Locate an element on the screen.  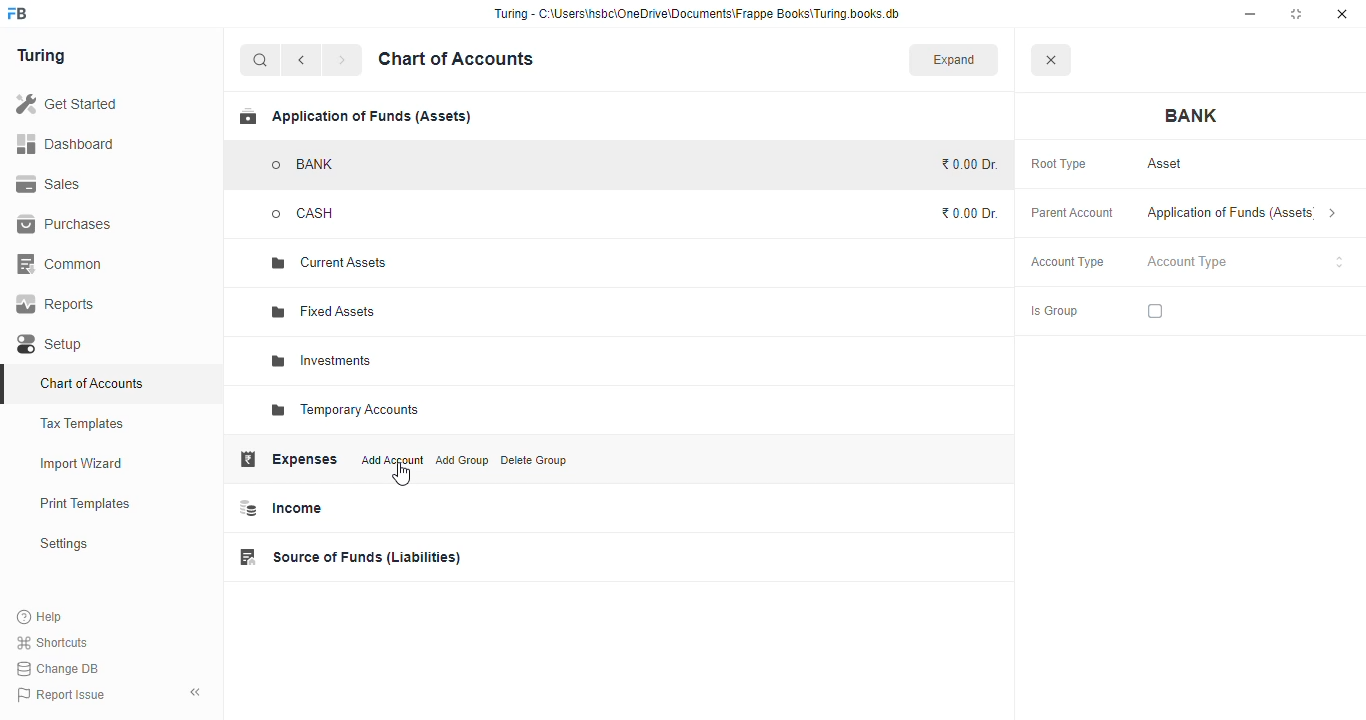
maximize is located at coordinates (1296, 14).